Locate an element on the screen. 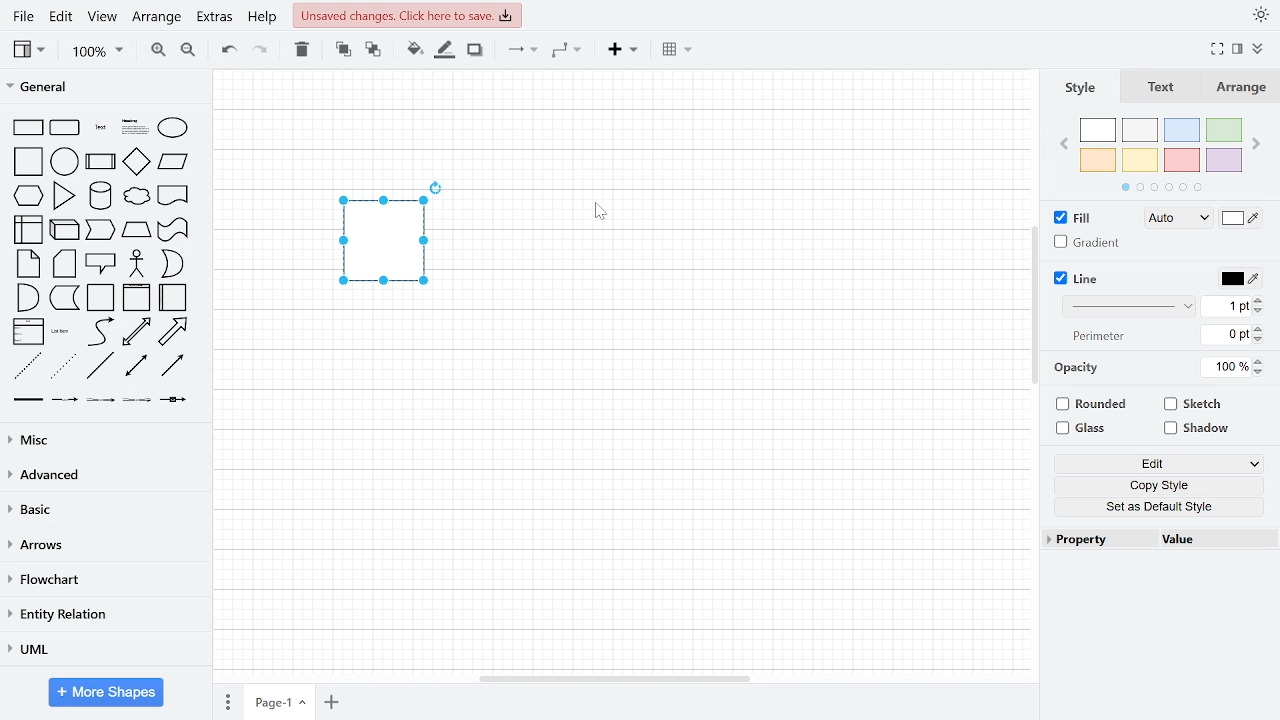 The width and height of the screenshot is (1280, 720). view is located at coordinates (102, 19).